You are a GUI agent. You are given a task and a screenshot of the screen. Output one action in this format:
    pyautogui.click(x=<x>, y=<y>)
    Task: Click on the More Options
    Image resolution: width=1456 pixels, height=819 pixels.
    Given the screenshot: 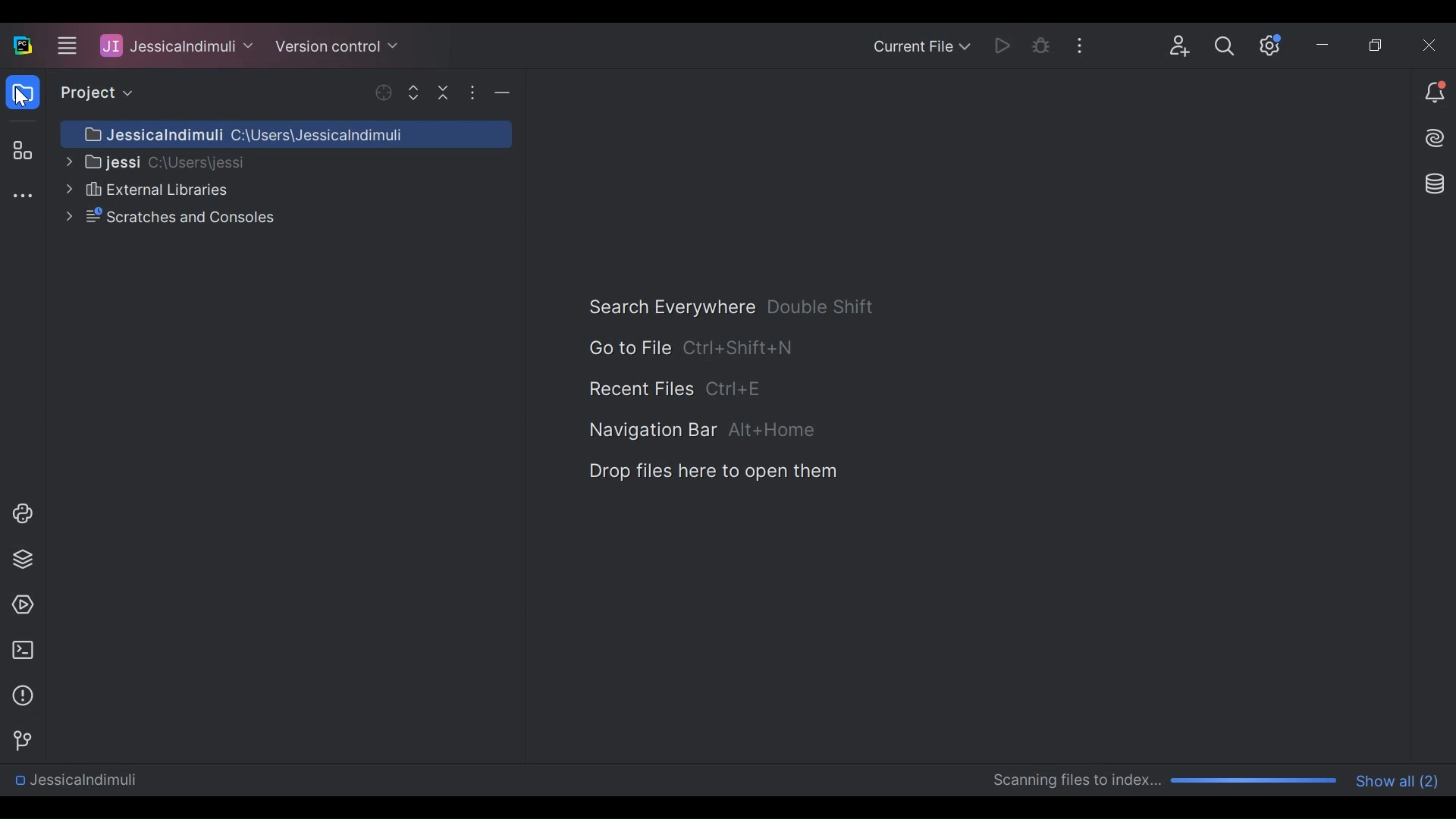 What is the action you would take?
    pyautogui.click(x=1075, y=45)
    